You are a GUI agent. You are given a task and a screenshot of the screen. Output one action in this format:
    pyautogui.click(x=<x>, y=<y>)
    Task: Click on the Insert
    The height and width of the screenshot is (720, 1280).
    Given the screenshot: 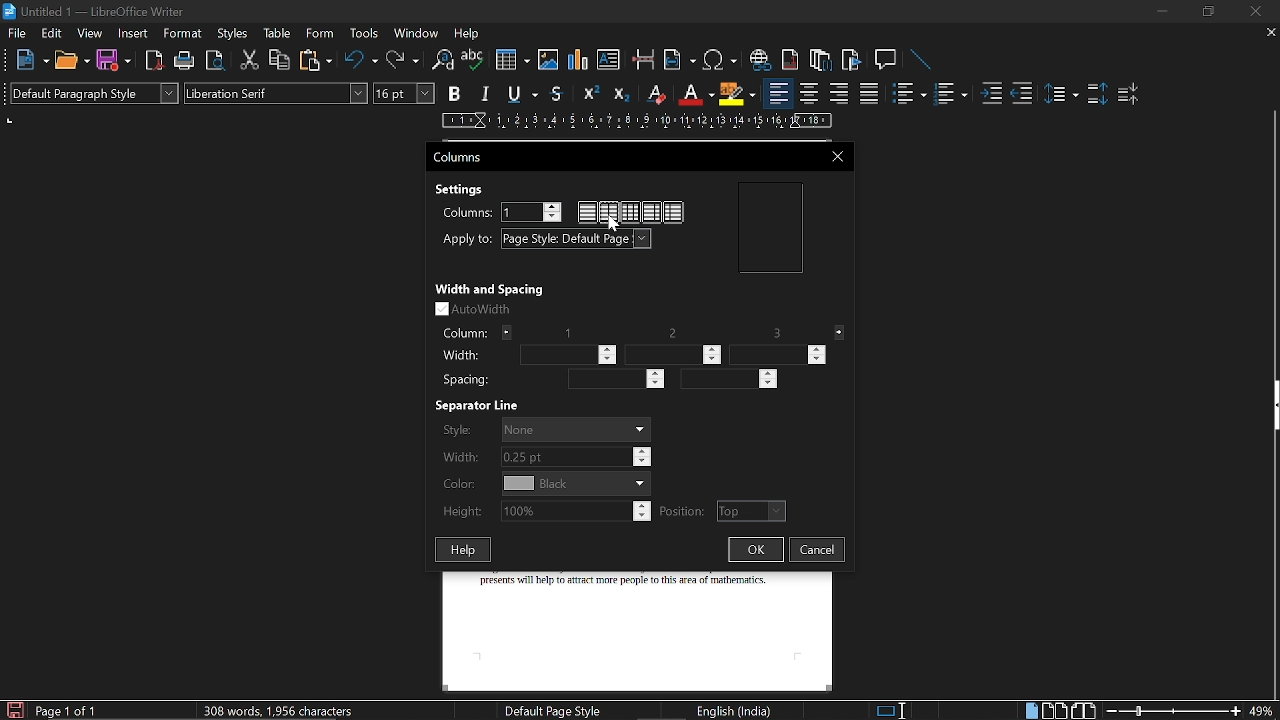 What is the action you would take?
    pyautogui.click(x=134, y=34)
    